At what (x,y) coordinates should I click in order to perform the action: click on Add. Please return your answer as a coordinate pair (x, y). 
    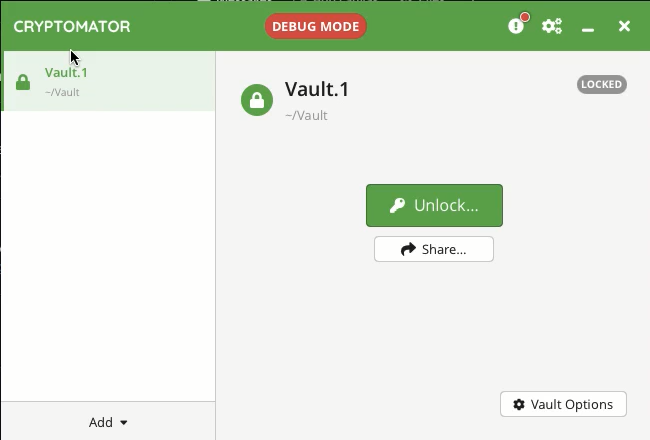
    Looking at the image, I should click on (106, 422).